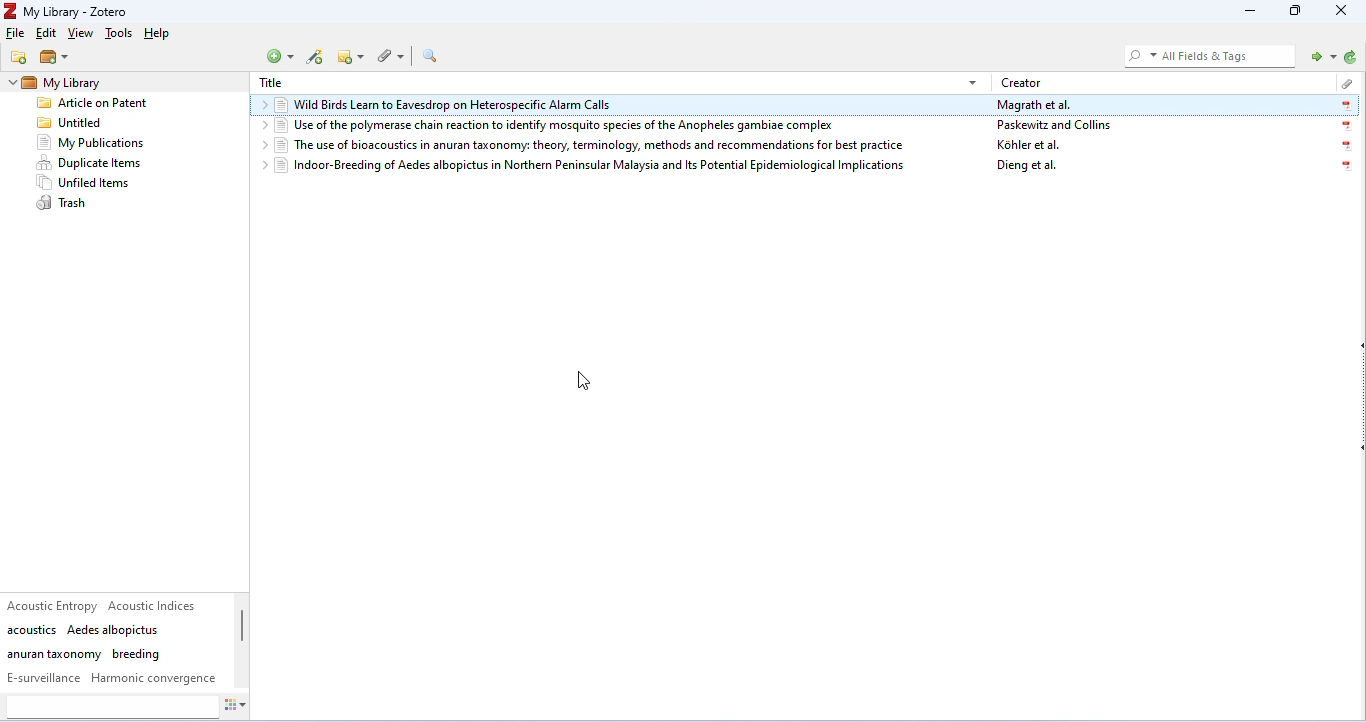 The width and height of the screenshot is (1366, 722). What do you see at coordinates (118, 34) in the screenshot?
I see `tools` at bounding box center [118, 34].